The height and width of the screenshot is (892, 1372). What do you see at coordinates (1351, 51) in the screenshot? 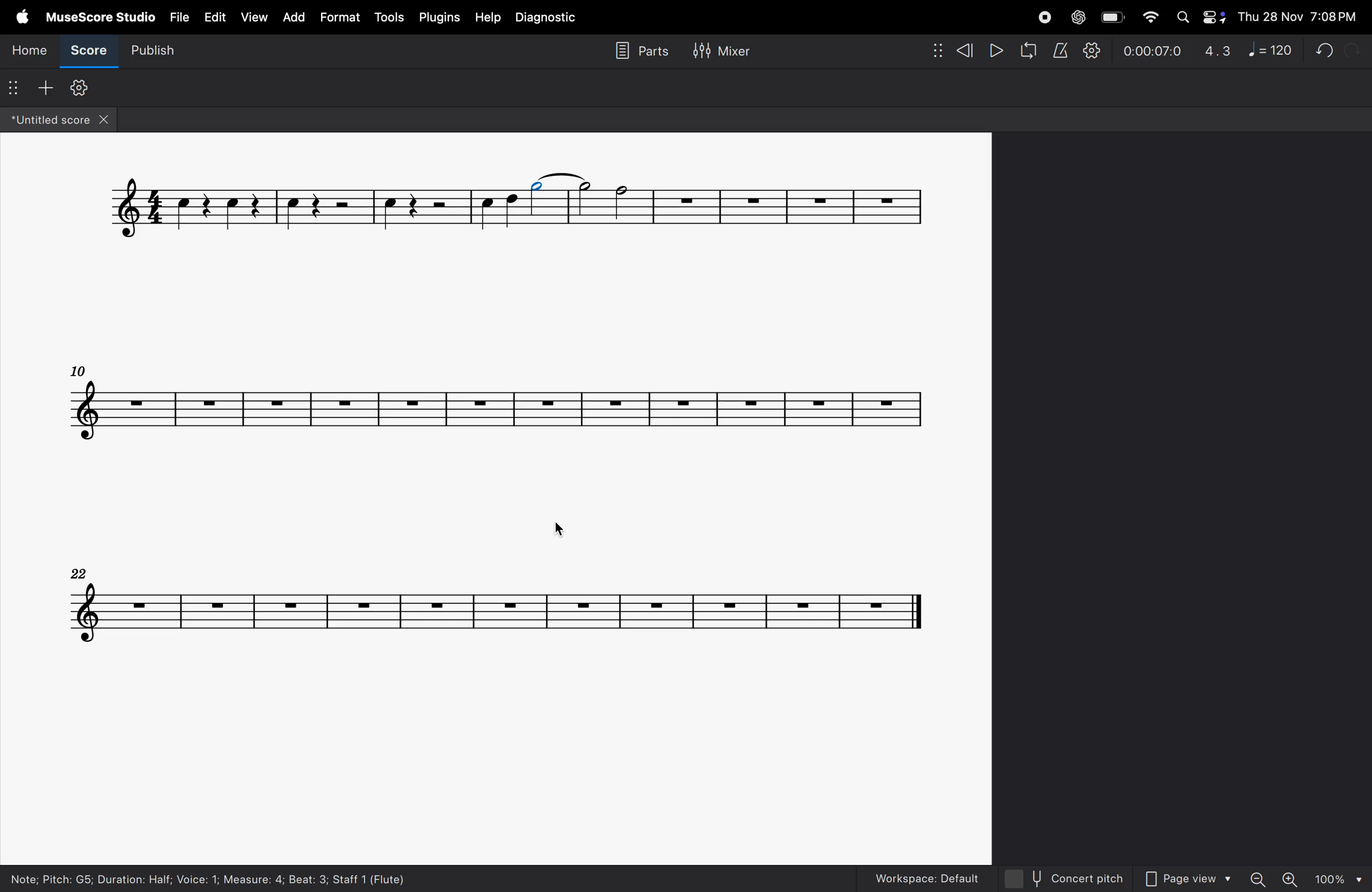
I see `Redo` at bounding box center [1351, 51].